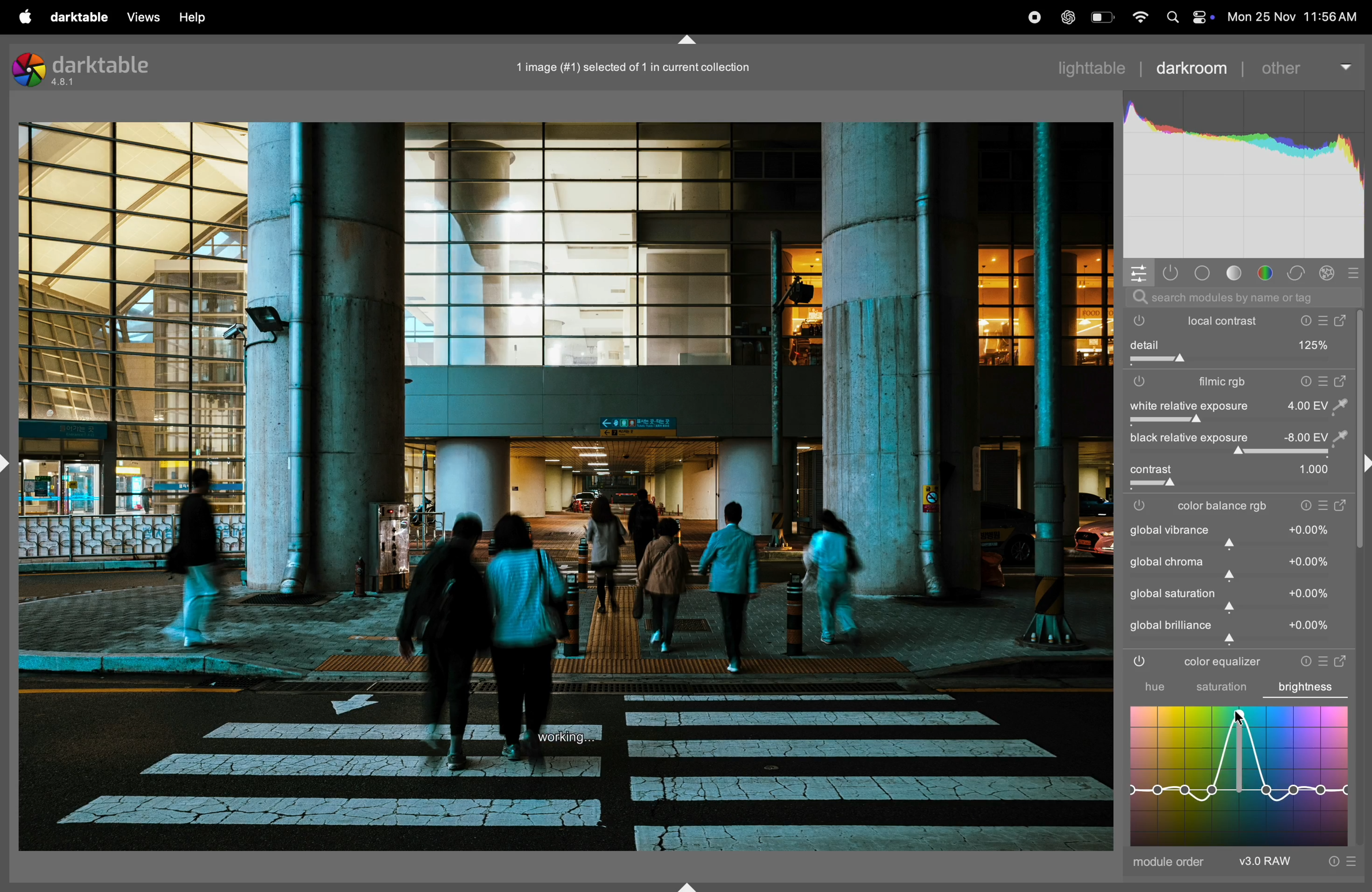  What do you see at coordinates (1242, 577) in the screenshot?
I see `slider` at bounding box center [1242, 577].